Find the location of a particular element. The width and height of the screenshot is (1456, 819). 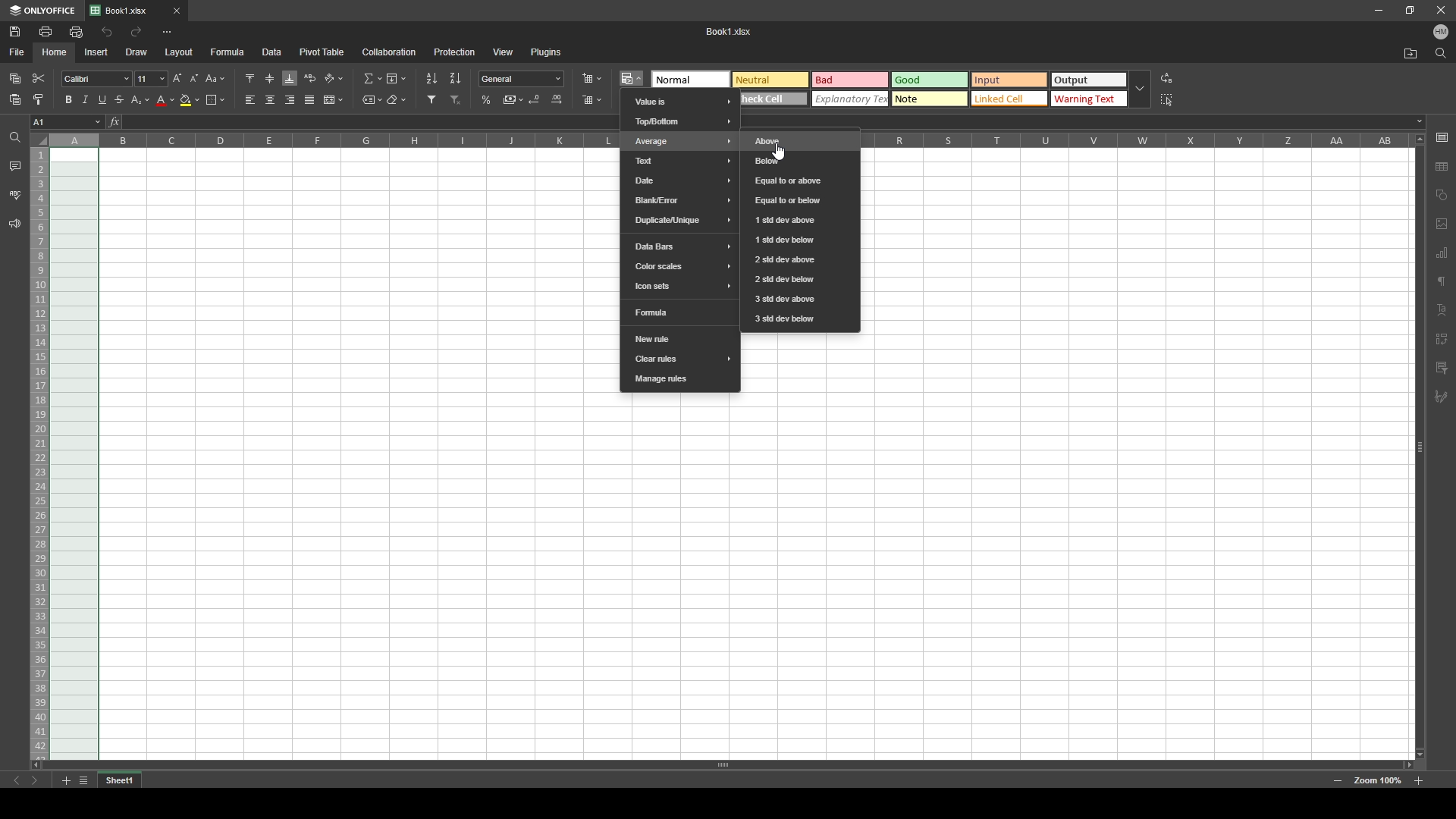

chosen cell is located at coordinates (66, 121).